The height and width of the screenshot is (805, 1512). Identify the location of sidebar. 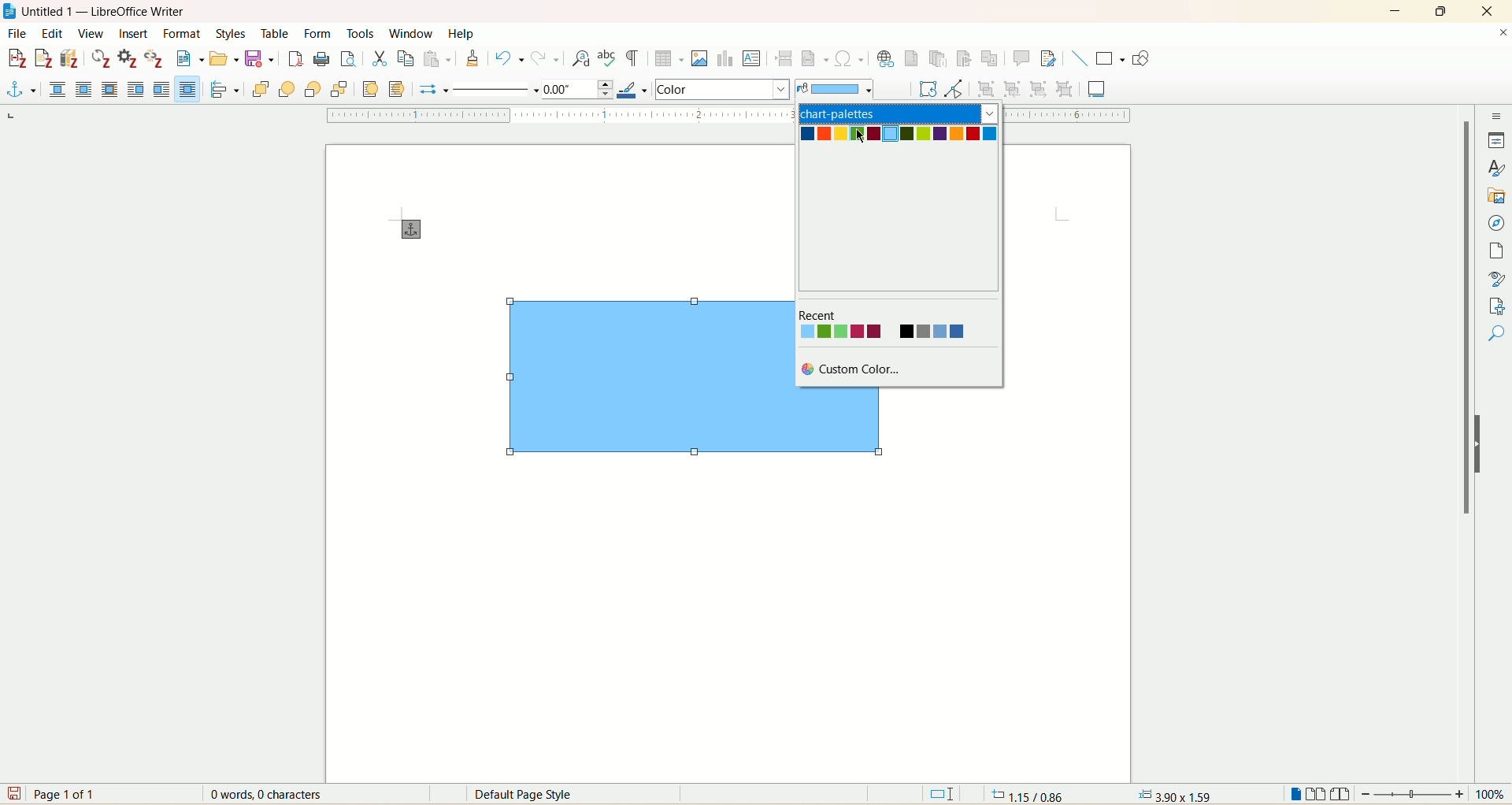
(1499, 118).